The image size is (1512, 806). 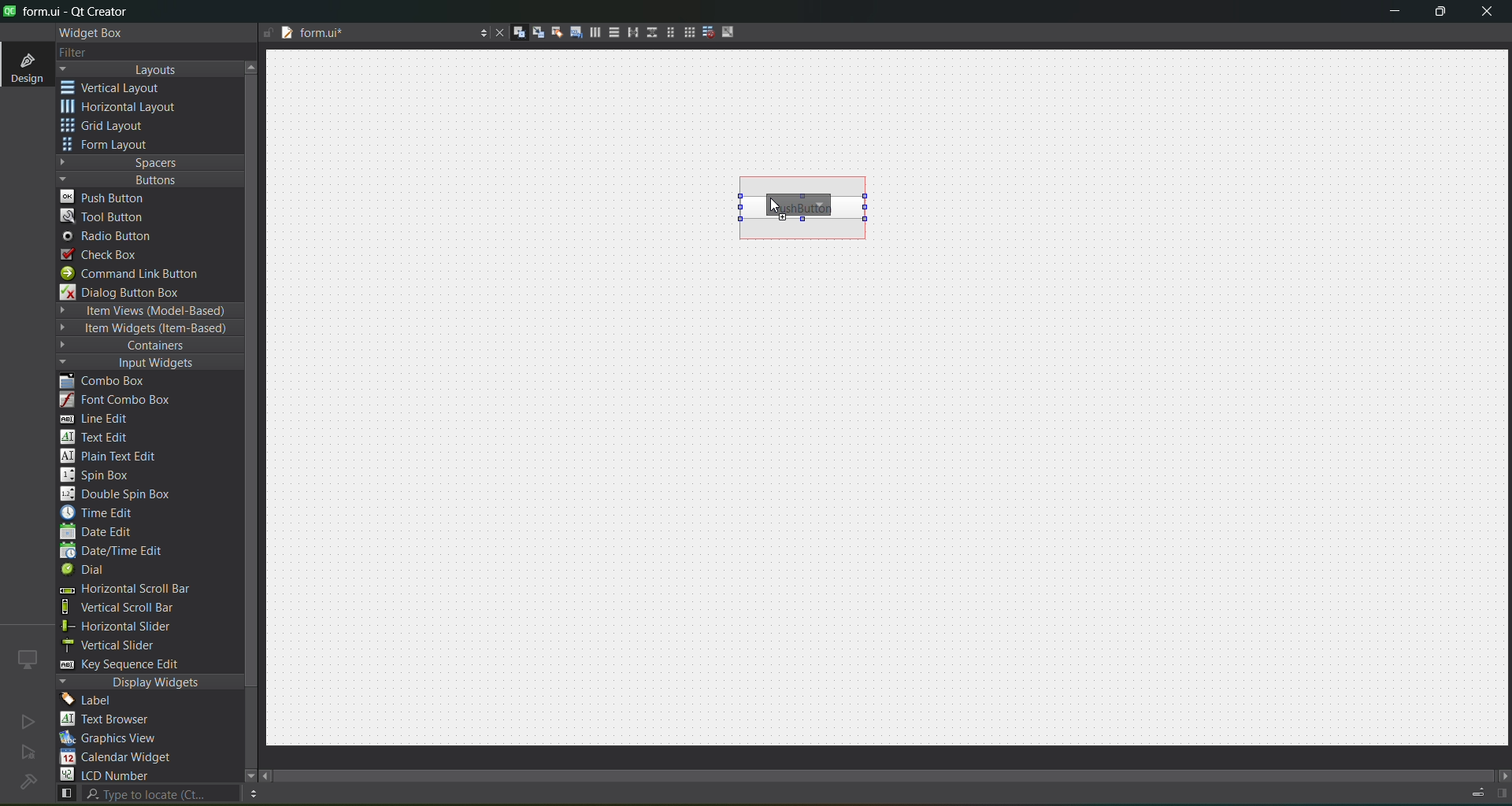 I want to click on no project loaded, so click(x=28, y=782).